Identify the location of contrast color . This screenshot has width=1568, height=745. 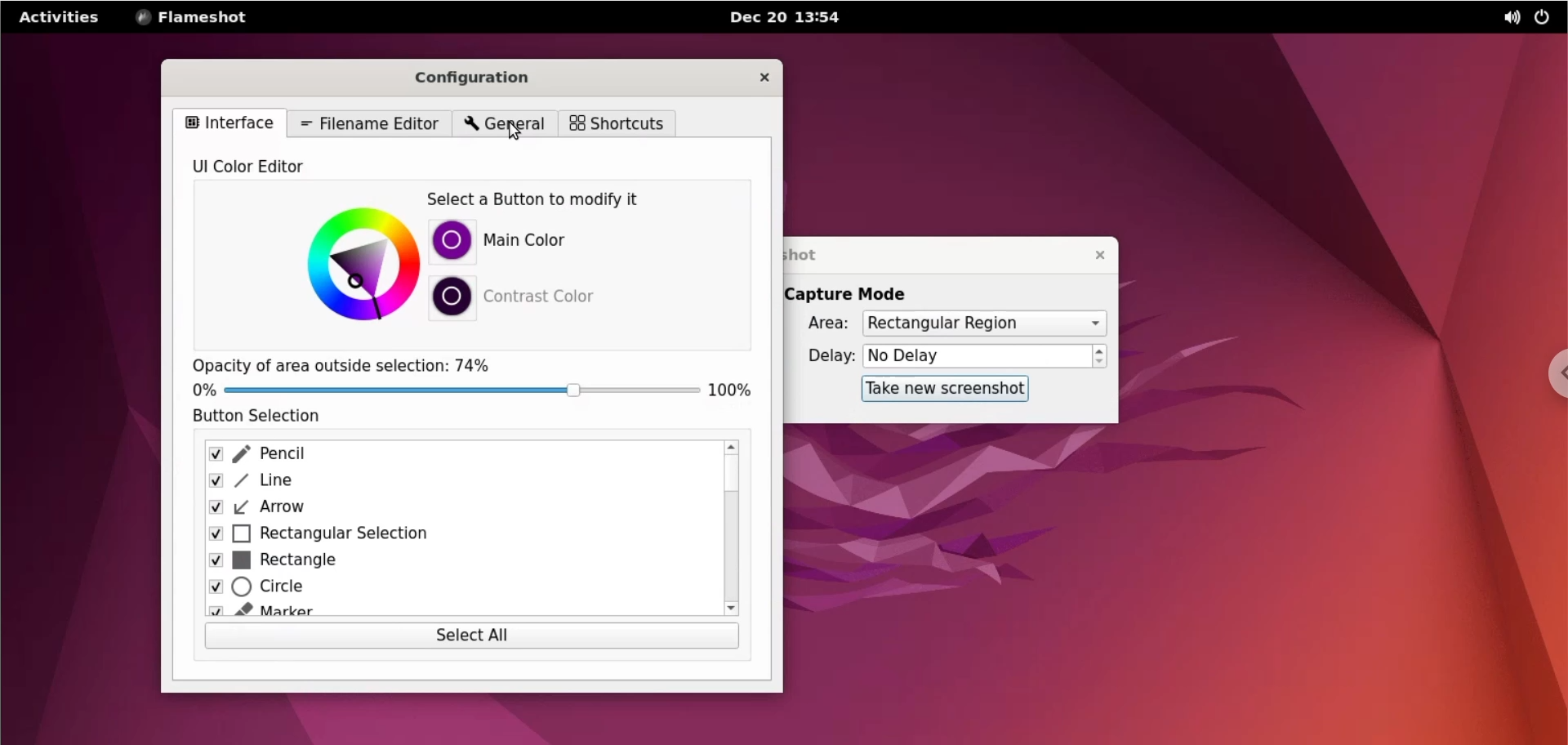
(527, 301).